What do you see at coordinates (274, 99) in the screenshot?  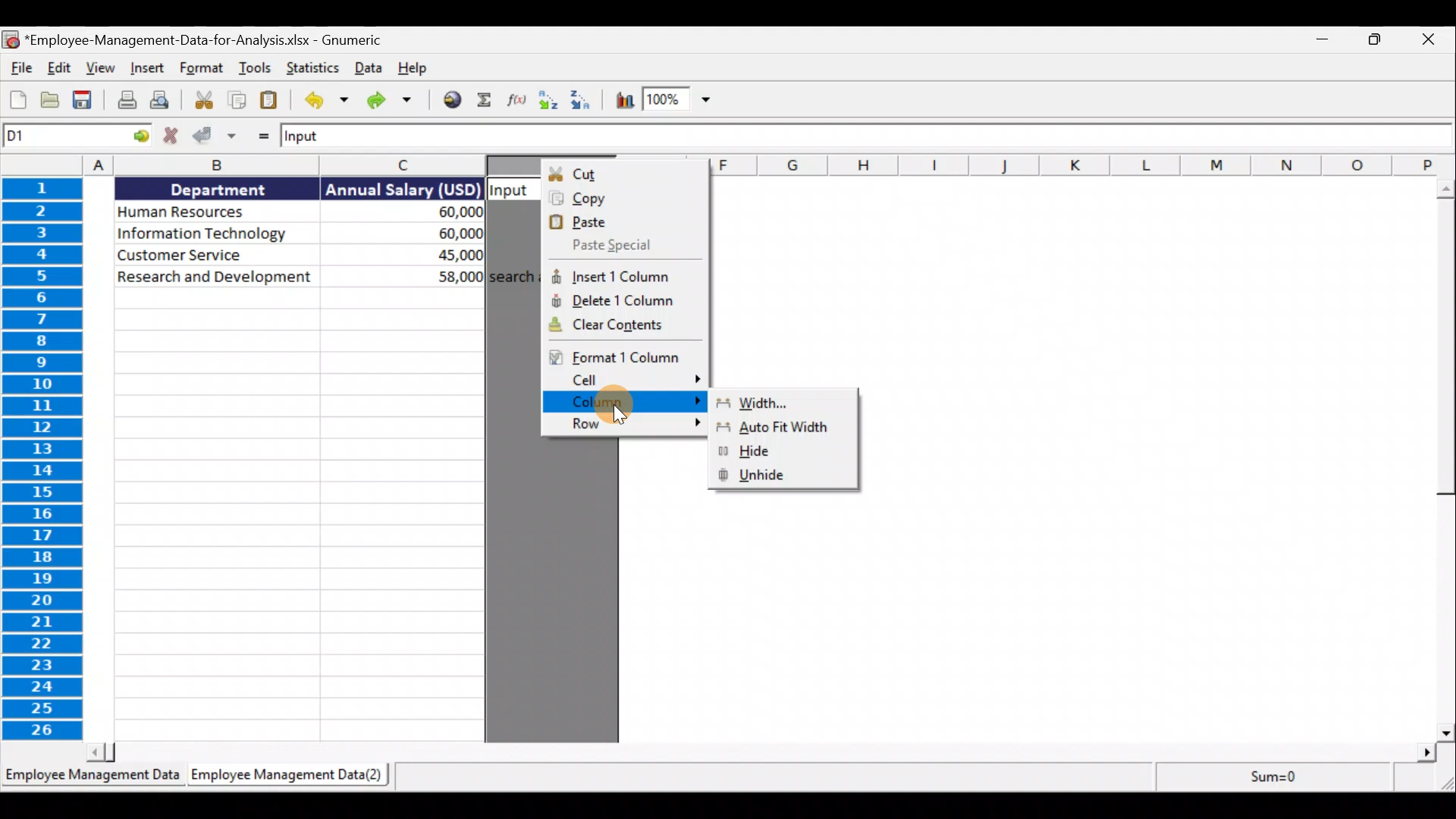 I see `Paste clipboard` at bounding box center [274, 99].